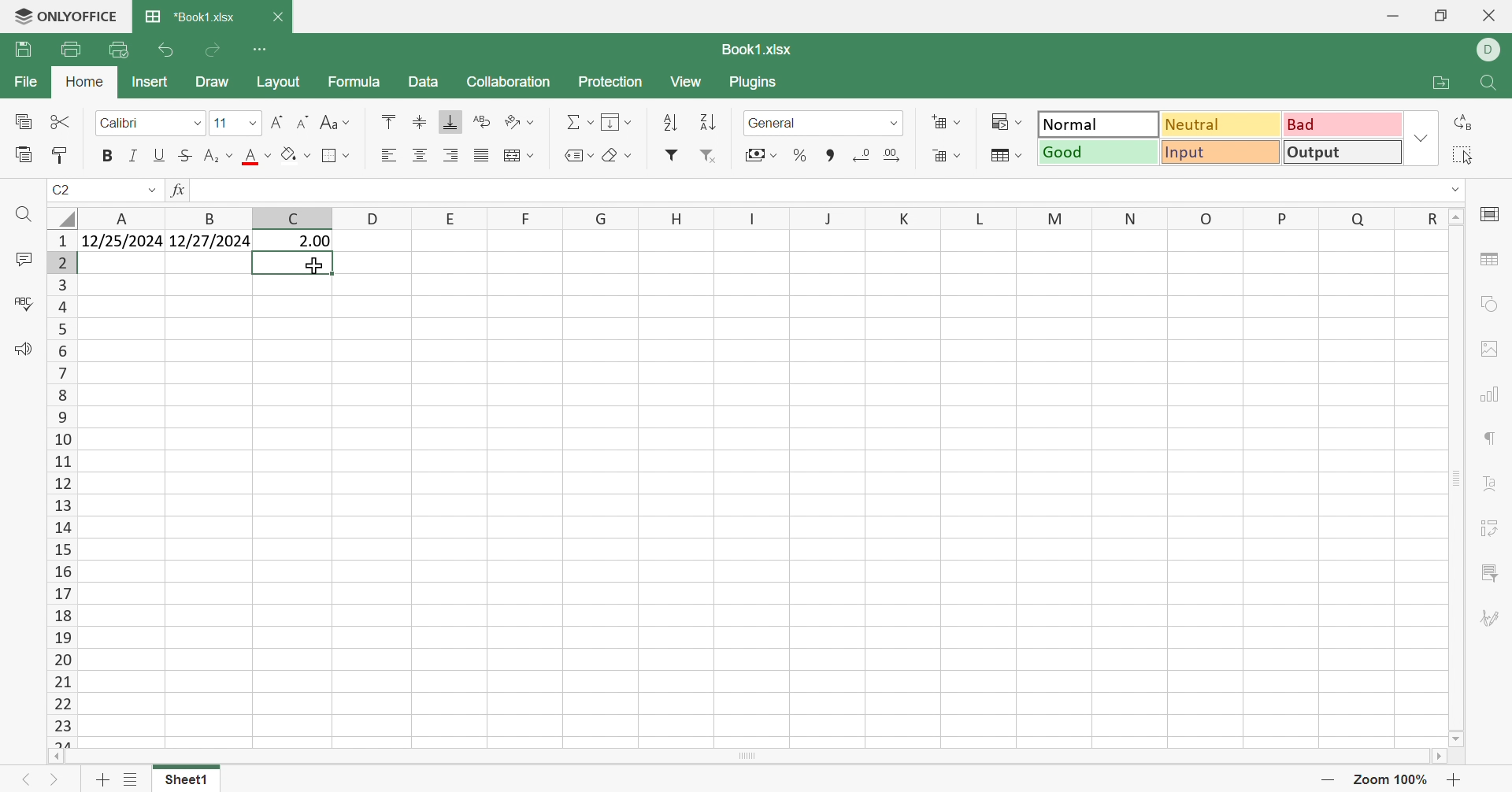 The height and width of the screenshot is (792, 1512). I want to click on Filter, so click(673, 155).